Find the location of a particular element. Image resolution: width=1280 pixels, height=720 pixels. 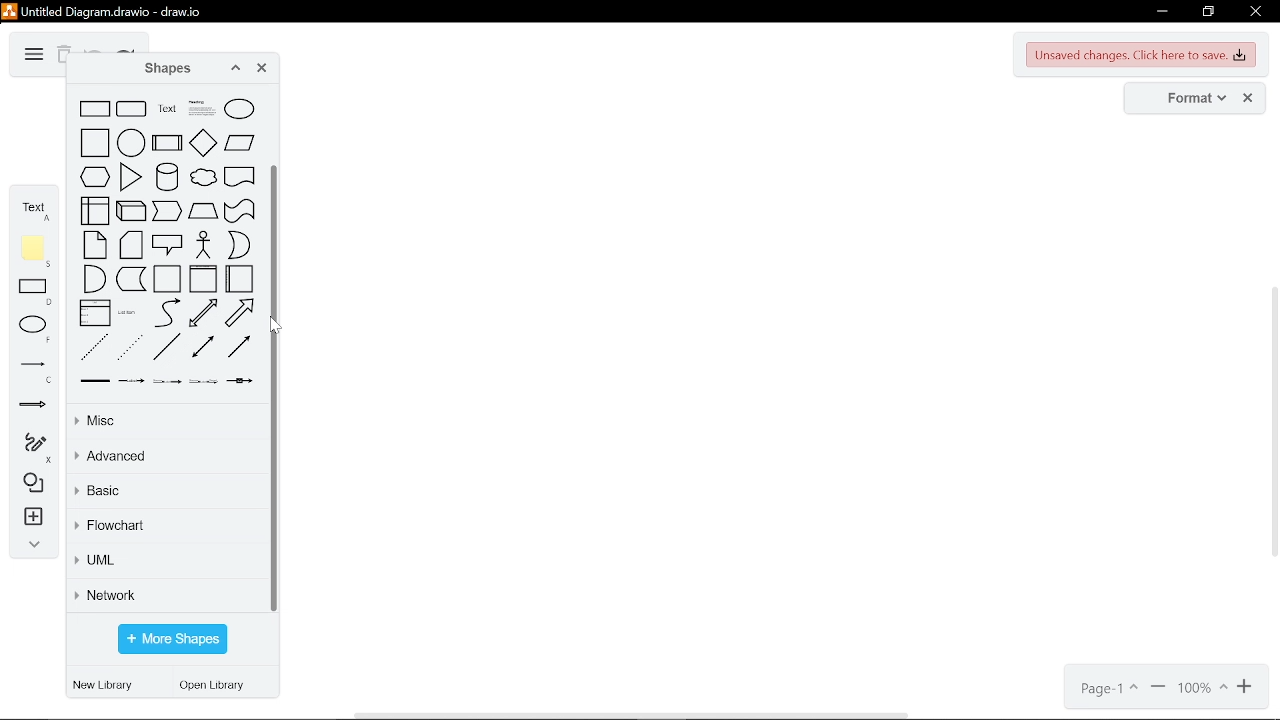

diagram is located at coordinates (32, 55).